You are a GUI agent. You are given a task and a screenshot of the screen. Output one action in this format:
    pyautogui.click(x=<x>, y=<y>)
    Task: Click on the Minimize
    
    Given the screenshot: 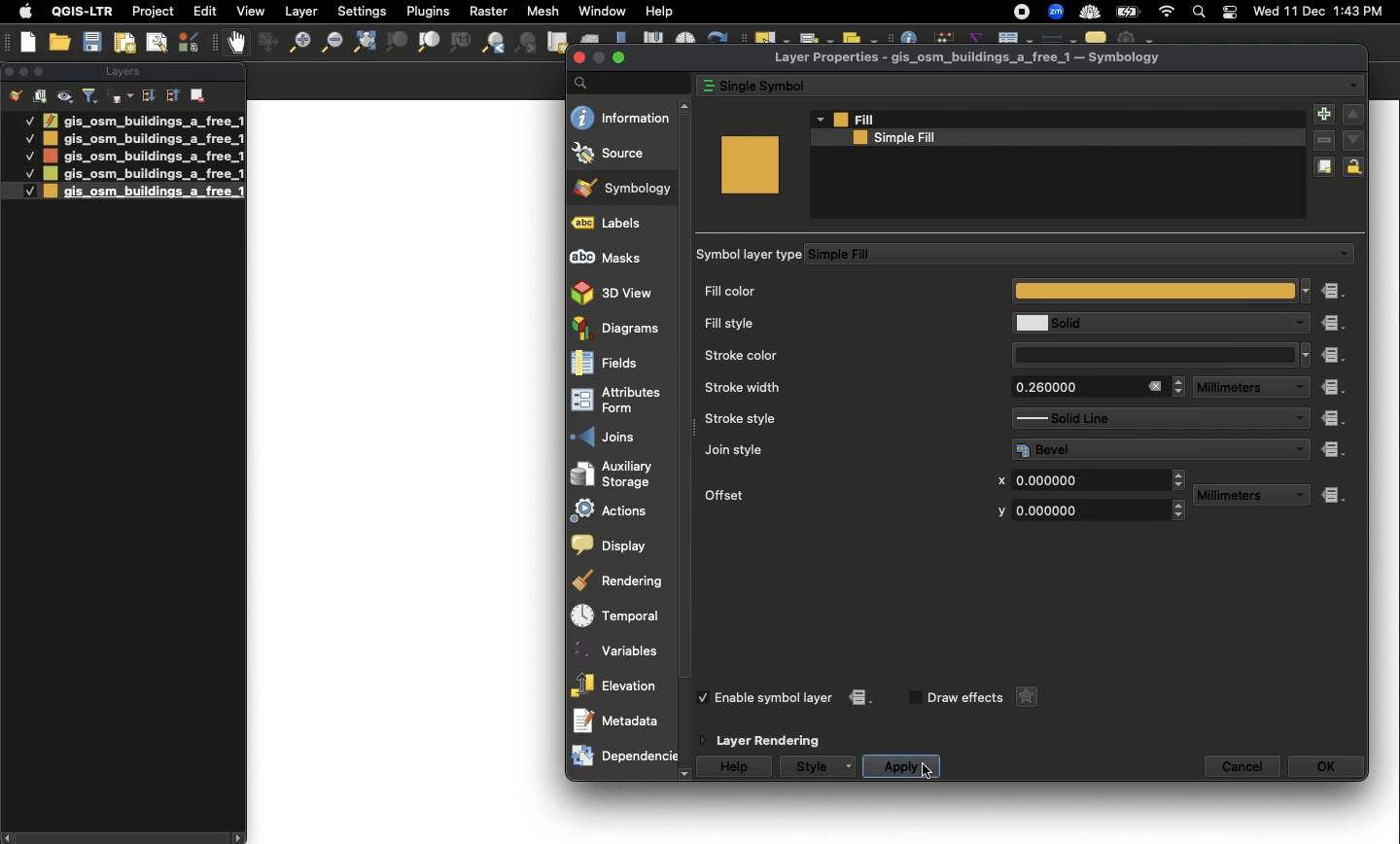 What is the action you would take?
    pyautogui.click(x=598, y=57)
    